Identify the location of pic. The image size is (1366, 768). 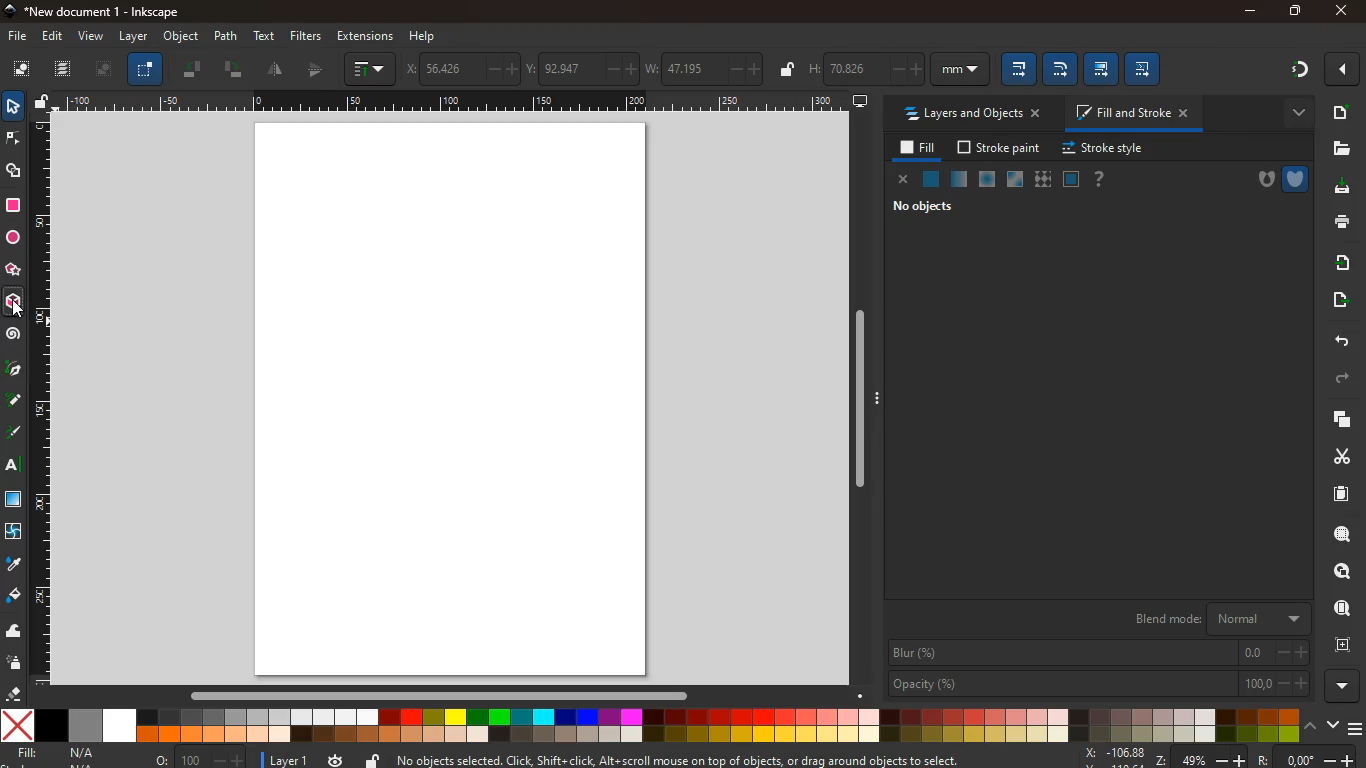
(13, 370).